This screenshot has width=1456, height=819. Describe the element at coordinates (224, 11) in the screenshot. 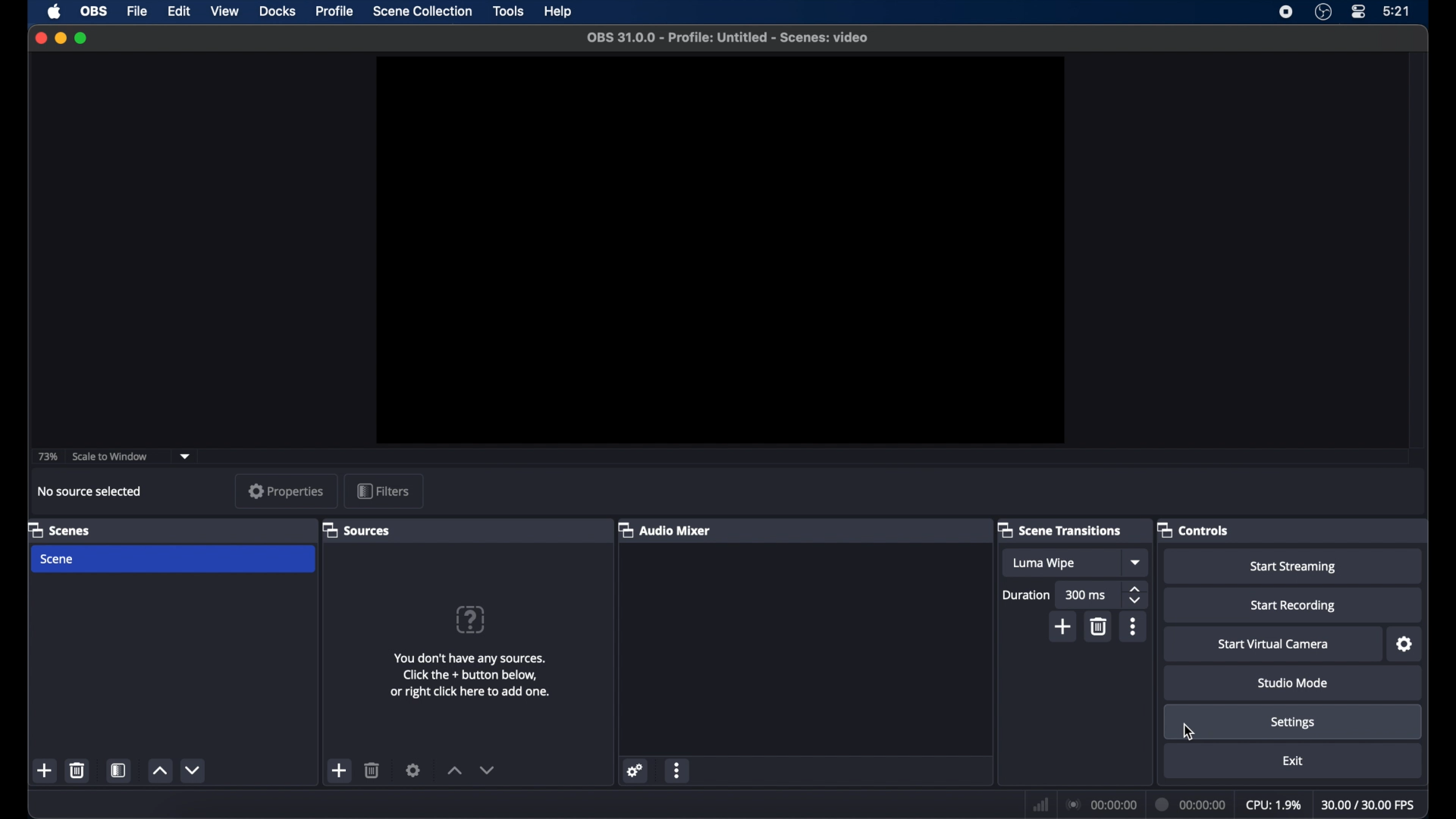

I see `view` at that location.